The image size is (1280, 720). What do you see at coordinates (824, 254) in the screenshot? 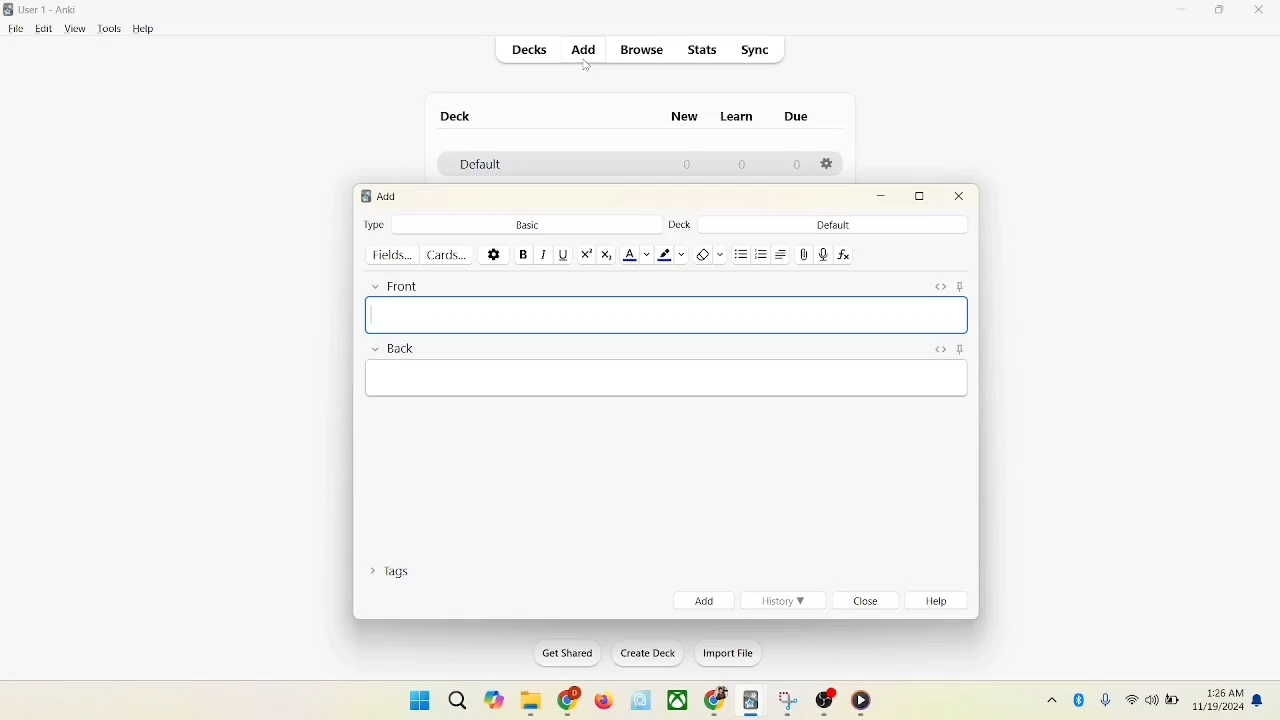
I see `audio` at bounding box center [824, 254].